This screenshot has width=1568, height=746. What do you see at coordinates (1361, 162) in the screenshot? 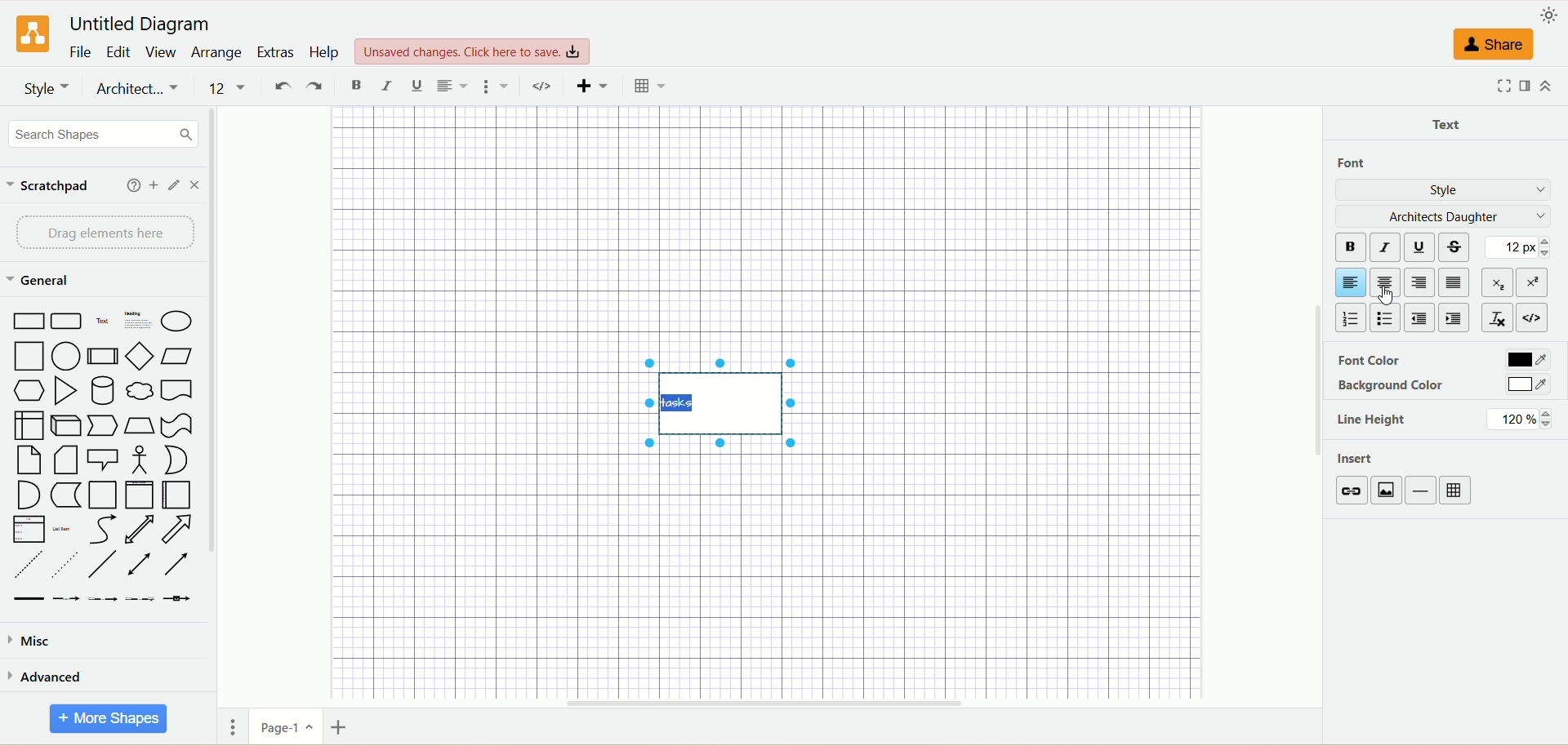
I see `font` at bounding box center [1361, 162].